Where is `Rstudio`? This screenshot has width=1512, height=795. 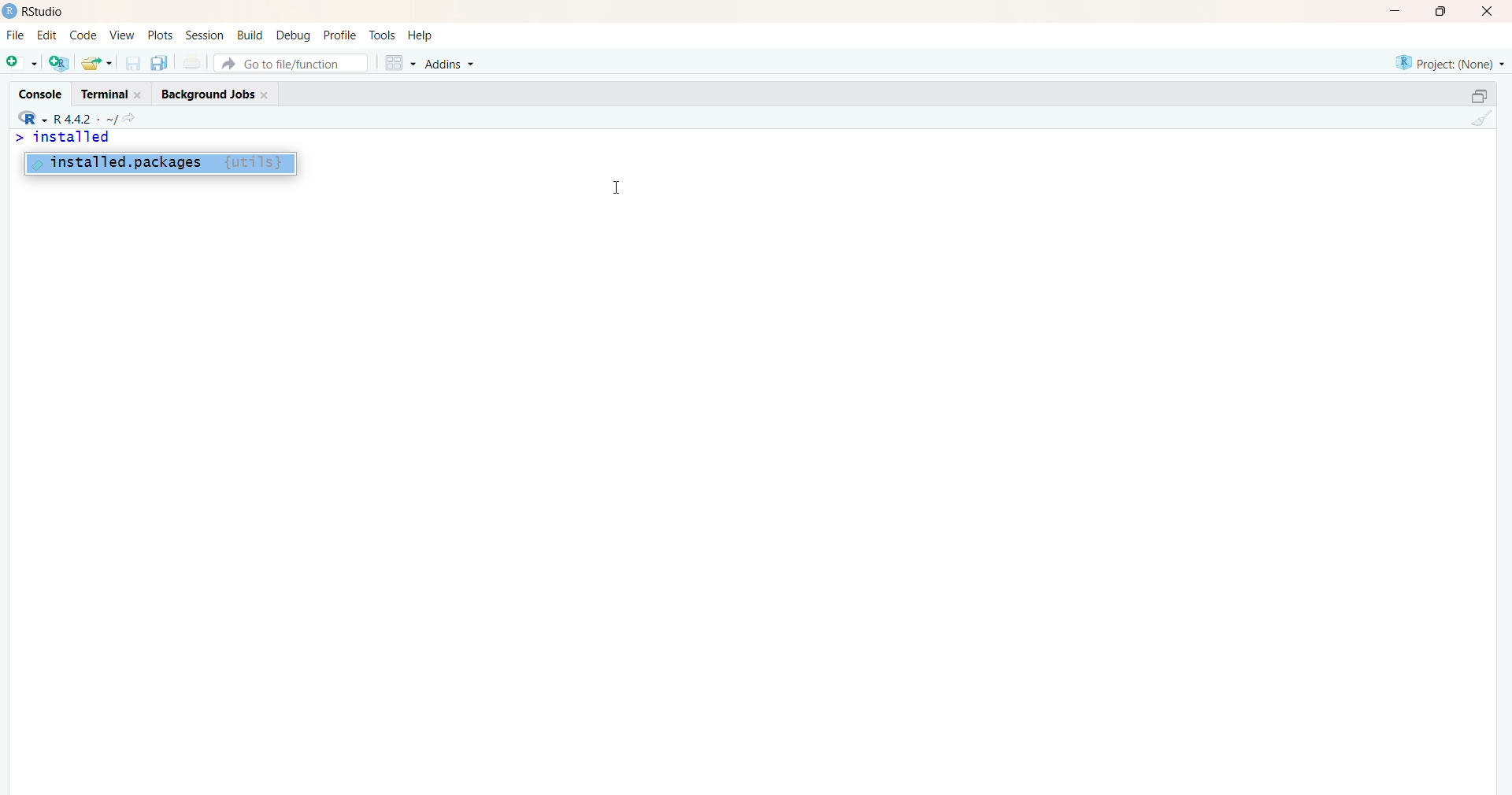 Rstudio is located at coordinates (35, 10).